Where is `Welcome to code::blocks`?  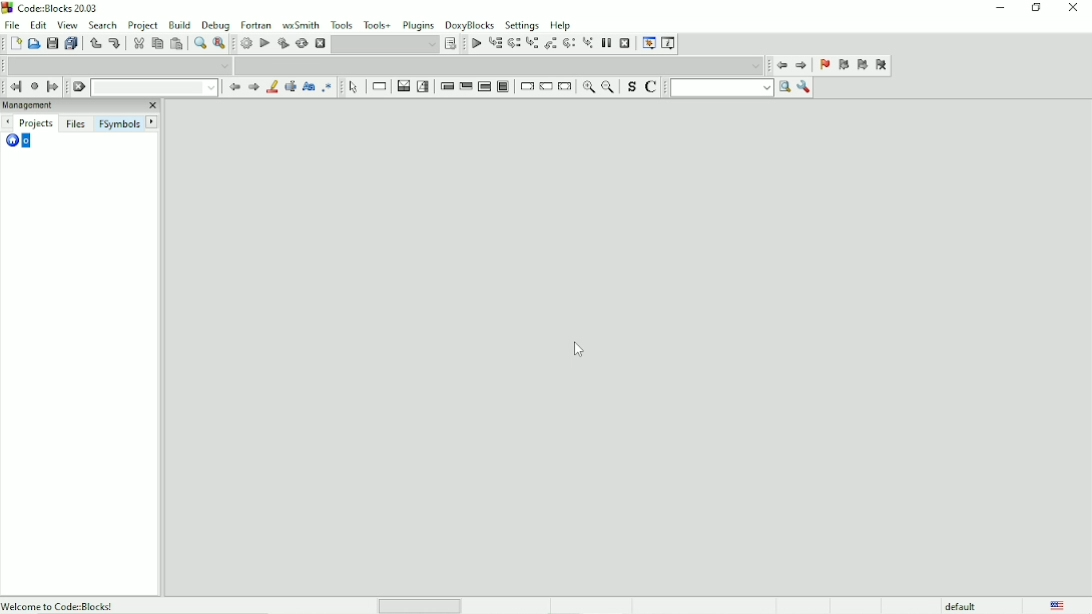 Welcome to code::blocks is located at coordinates (61, 604).